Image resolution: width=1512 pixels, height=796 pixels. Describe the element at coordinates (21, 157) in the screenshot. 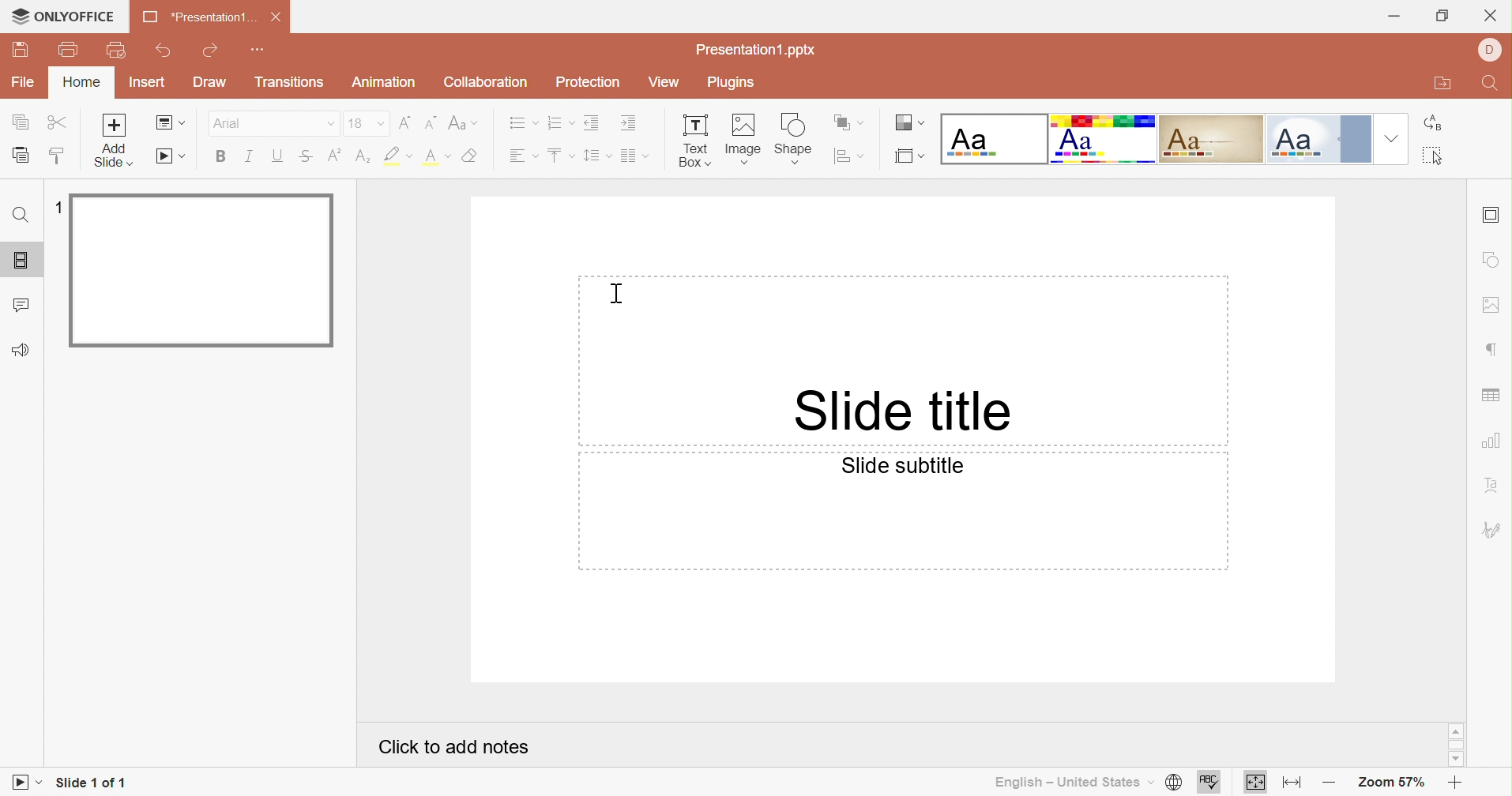

I see `Paste` at that location.